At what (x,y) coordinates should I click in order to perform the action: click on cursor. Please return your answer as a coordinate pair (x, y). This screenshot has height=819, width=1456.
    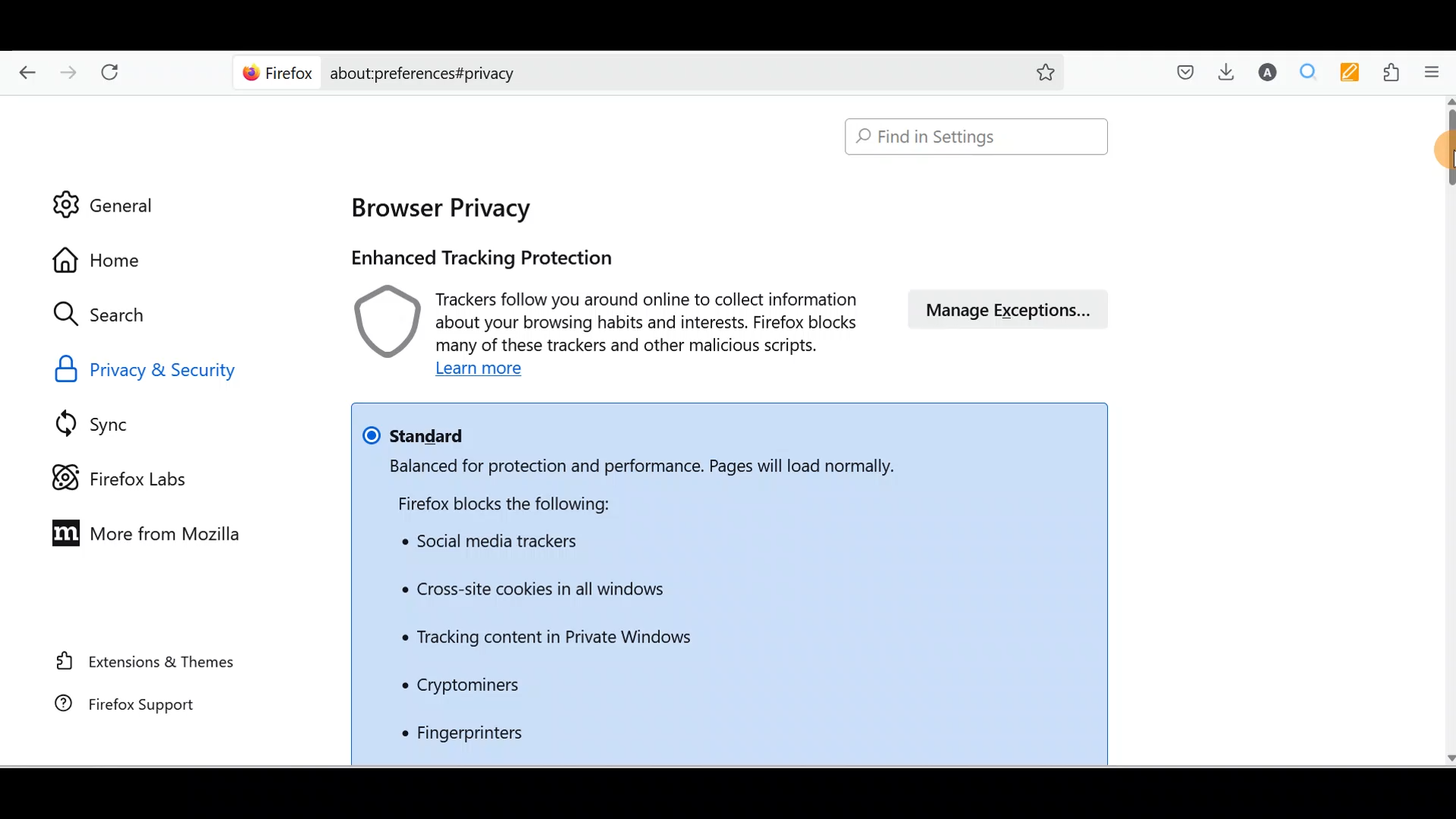
    Looking at the image, I should click on (1442, 144).